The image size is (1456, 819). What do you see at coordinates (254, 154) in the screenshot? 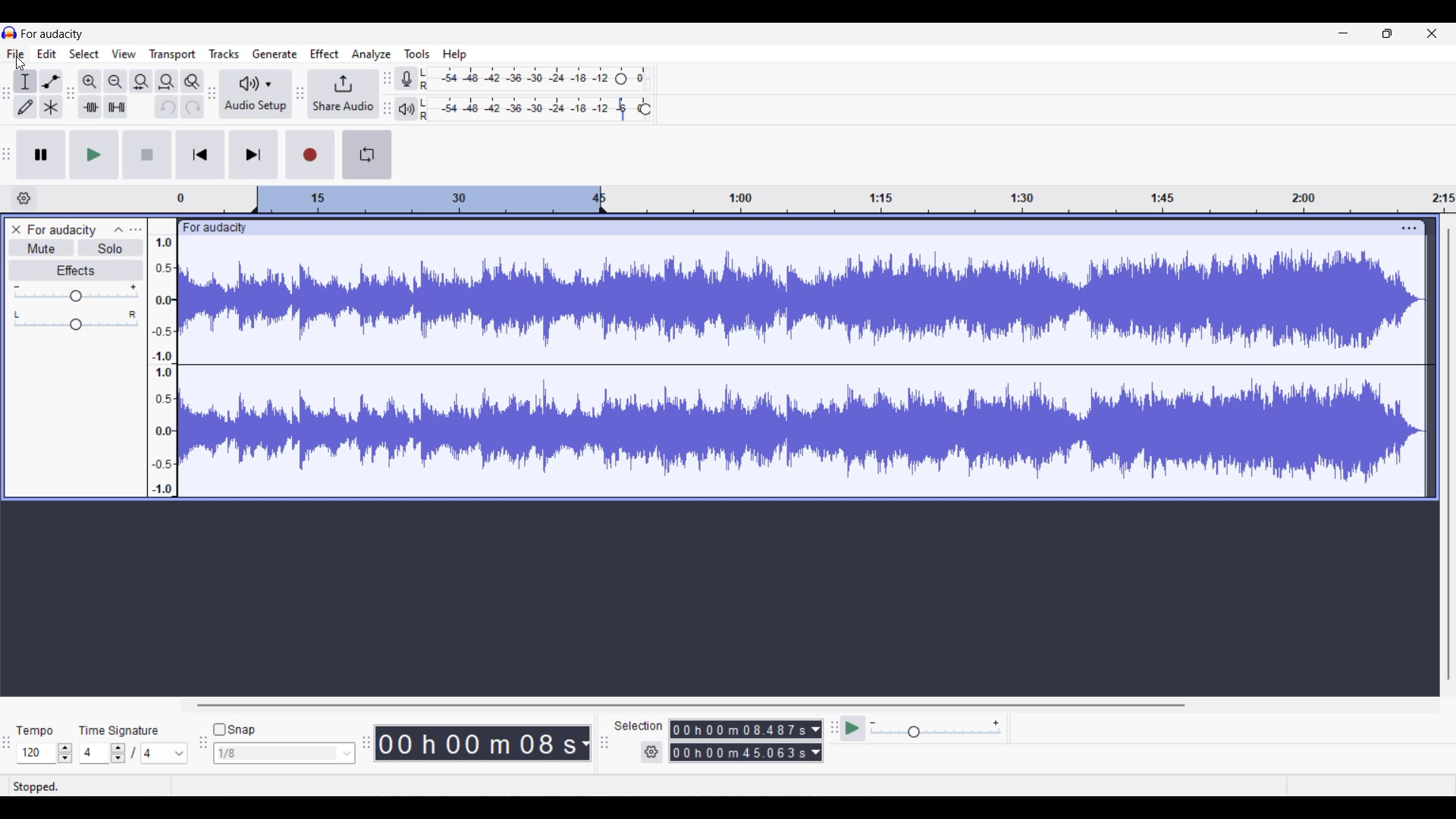
I see `Skip/Select to end` at bounding box center [254, 154].